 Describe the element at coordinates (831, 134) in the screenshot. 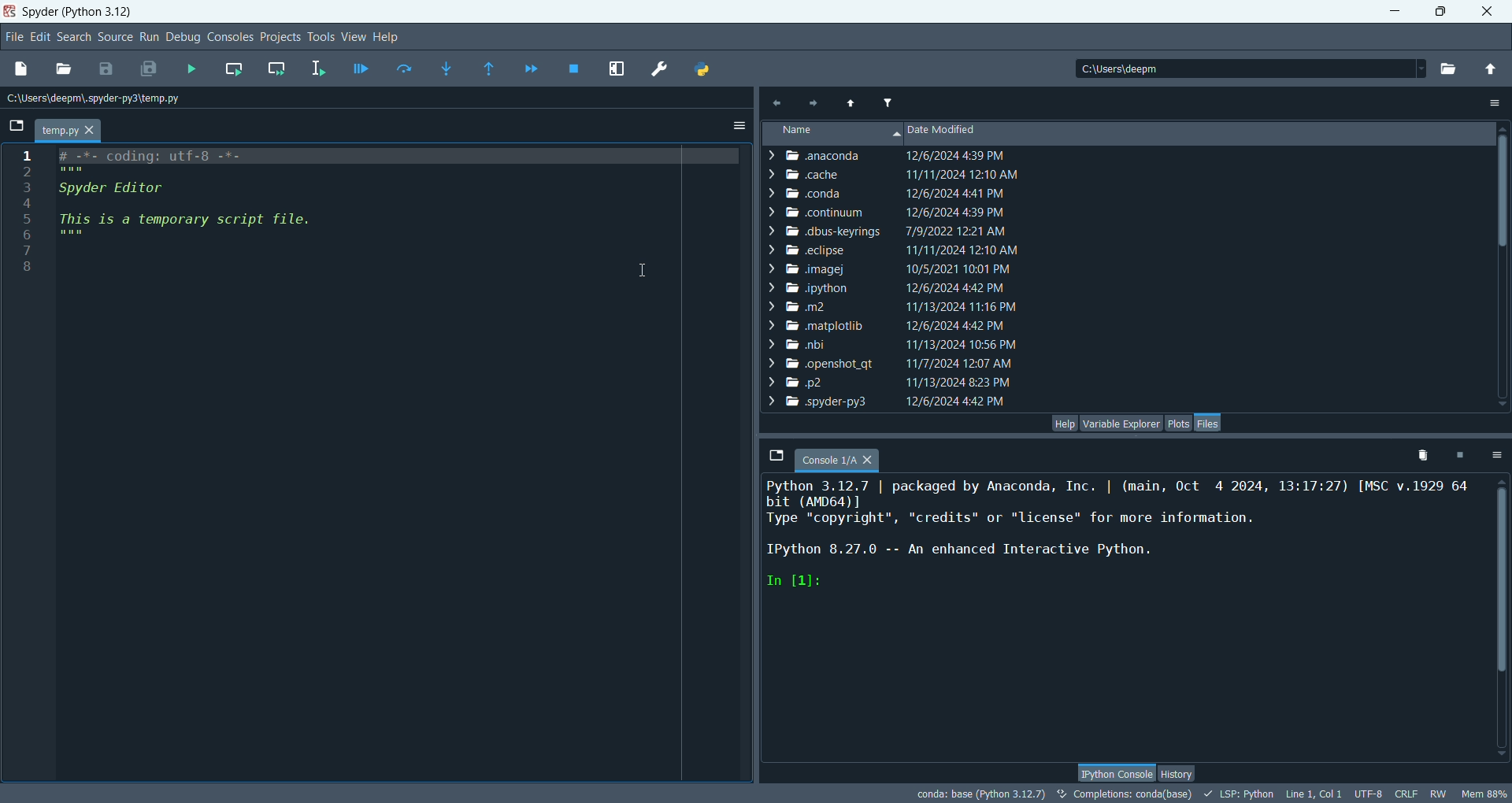

I see `name` at that location.